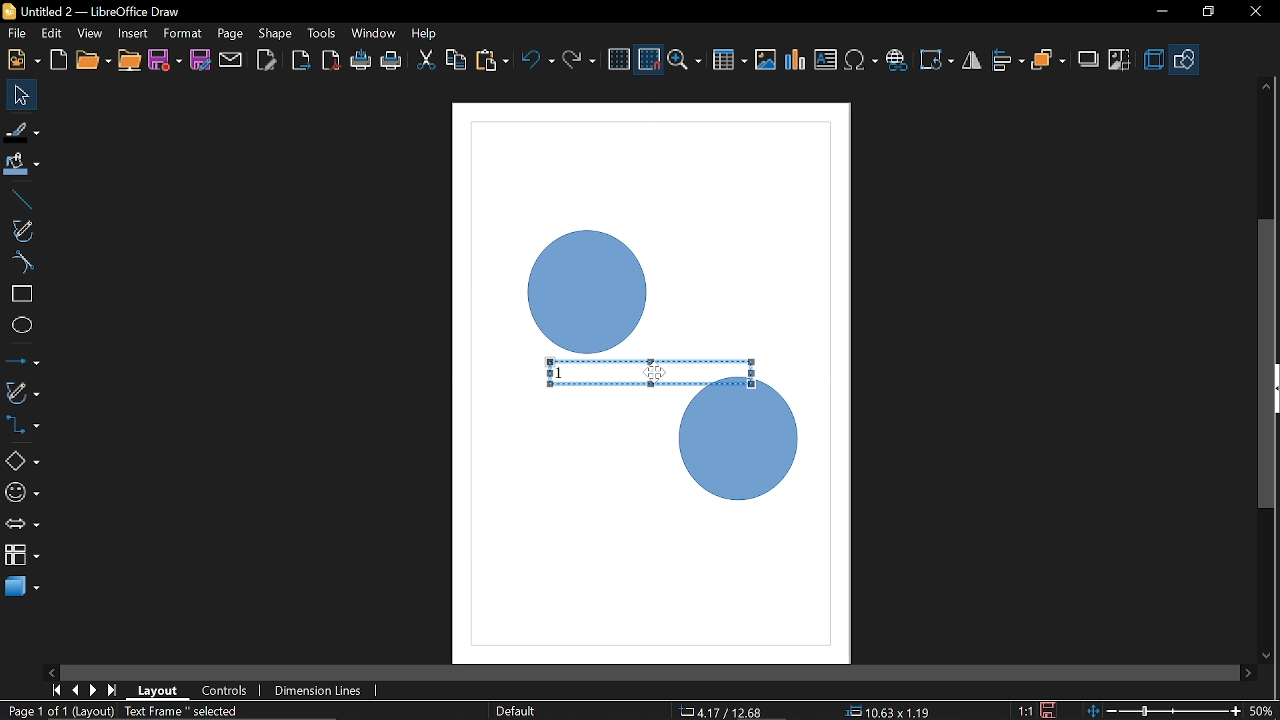  What do you see at coordinates (276, 33) in the screenshot?
I see `Shape` at bounding box center [276, 33].